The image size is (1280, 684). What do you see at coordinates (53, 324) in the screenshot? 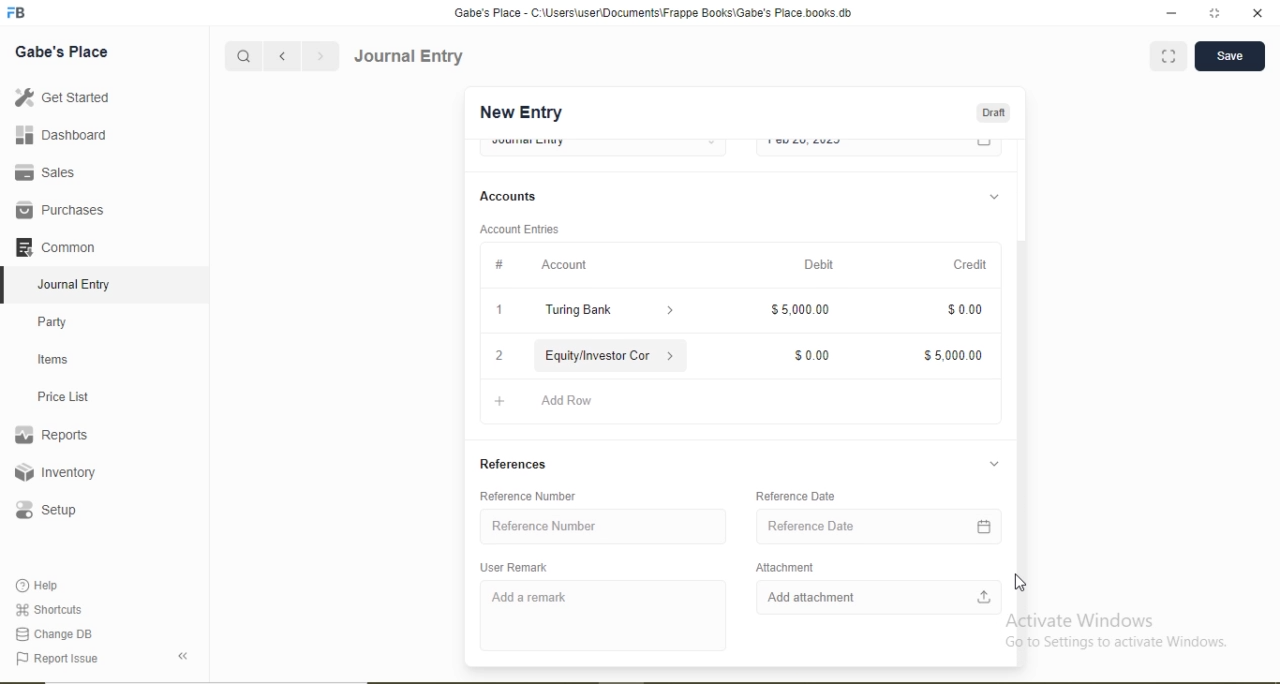
I see `Party` at bounding box center [53, 324].